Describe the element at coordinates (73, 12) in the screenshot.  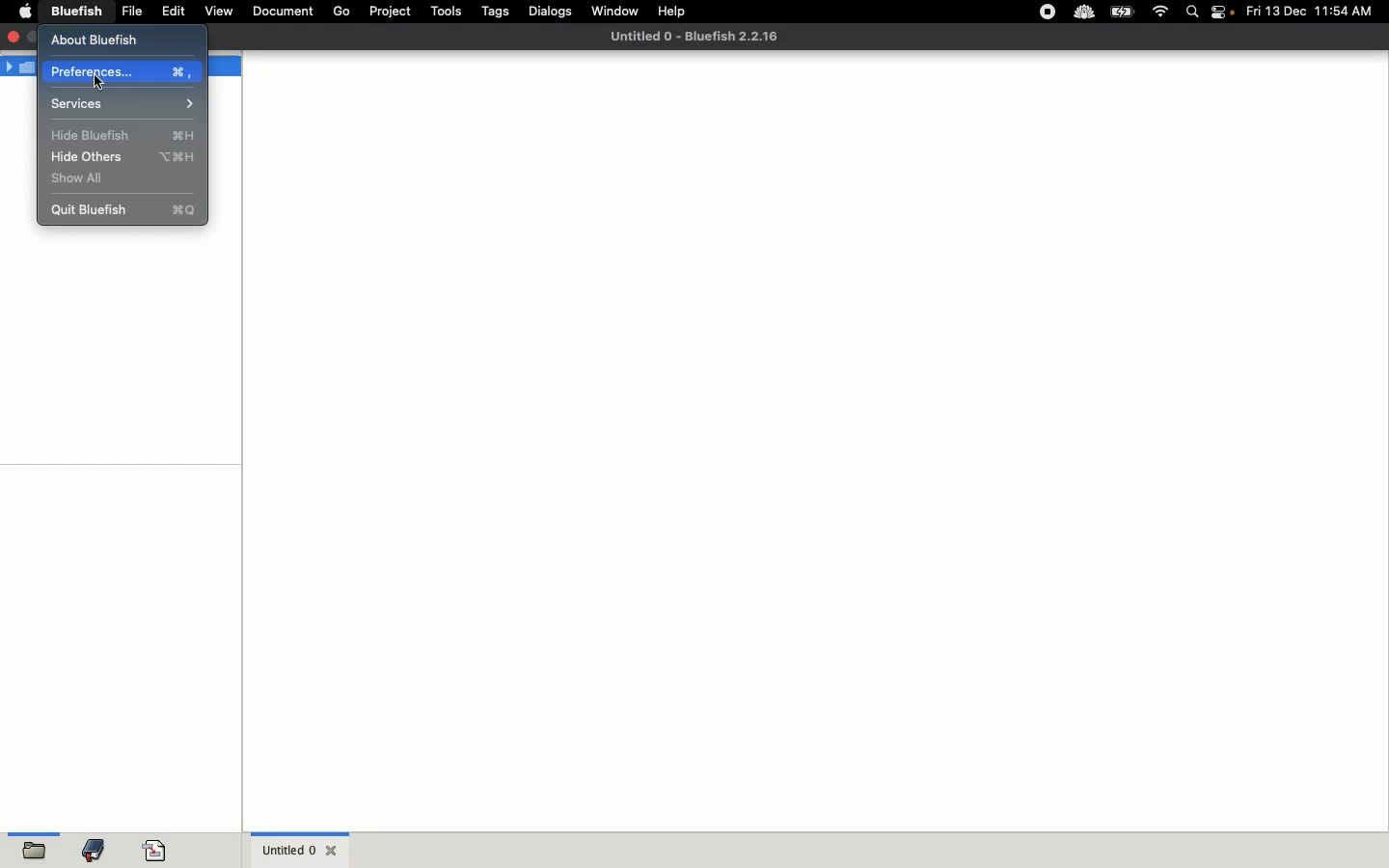
I see `Bluefish` at that location.